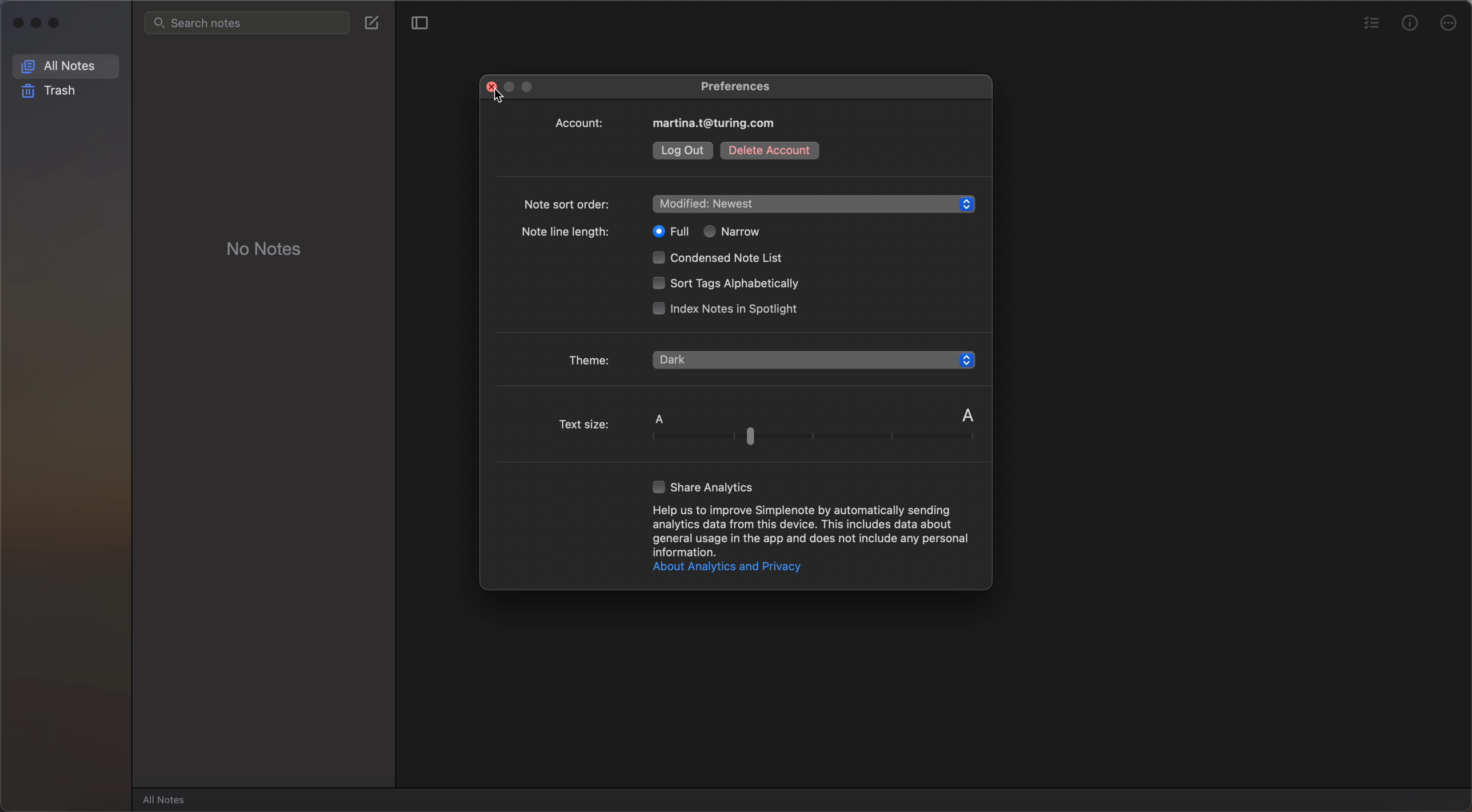  Describe the element at coordinates (675, 378) in the screenshot. I see `dark` at that location.